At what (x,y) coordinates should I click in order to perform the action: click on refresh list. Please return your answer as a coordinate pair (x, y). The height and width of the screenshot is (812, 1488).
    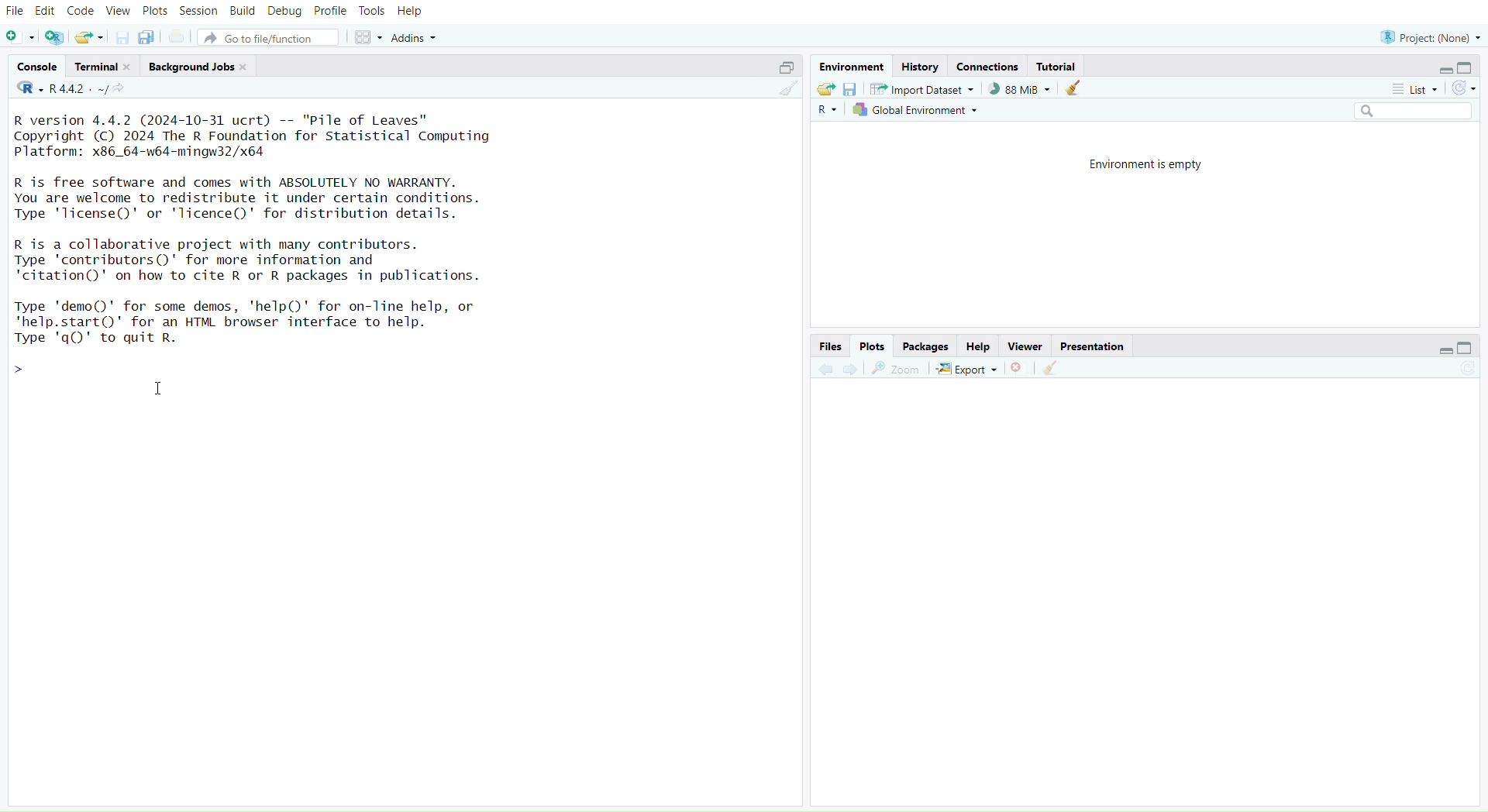
    Looking at the image, I should click on (1461, 89).